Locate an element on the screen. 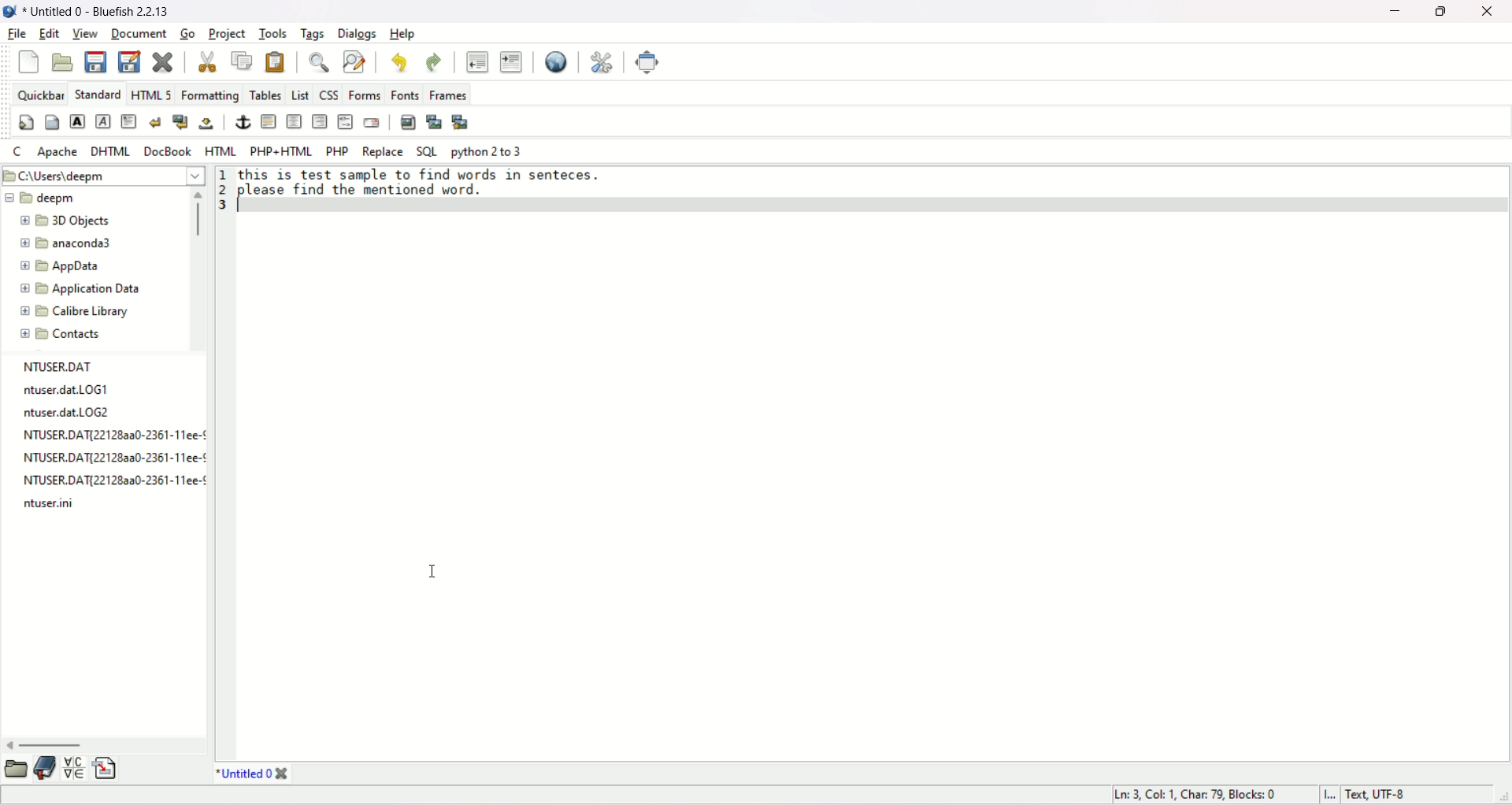 The width and height of the screenshot is (1512, 805). “Ln: 3, Col: 1, Char: 79, Blocks: 0 is located at coordinates (1194, 792).